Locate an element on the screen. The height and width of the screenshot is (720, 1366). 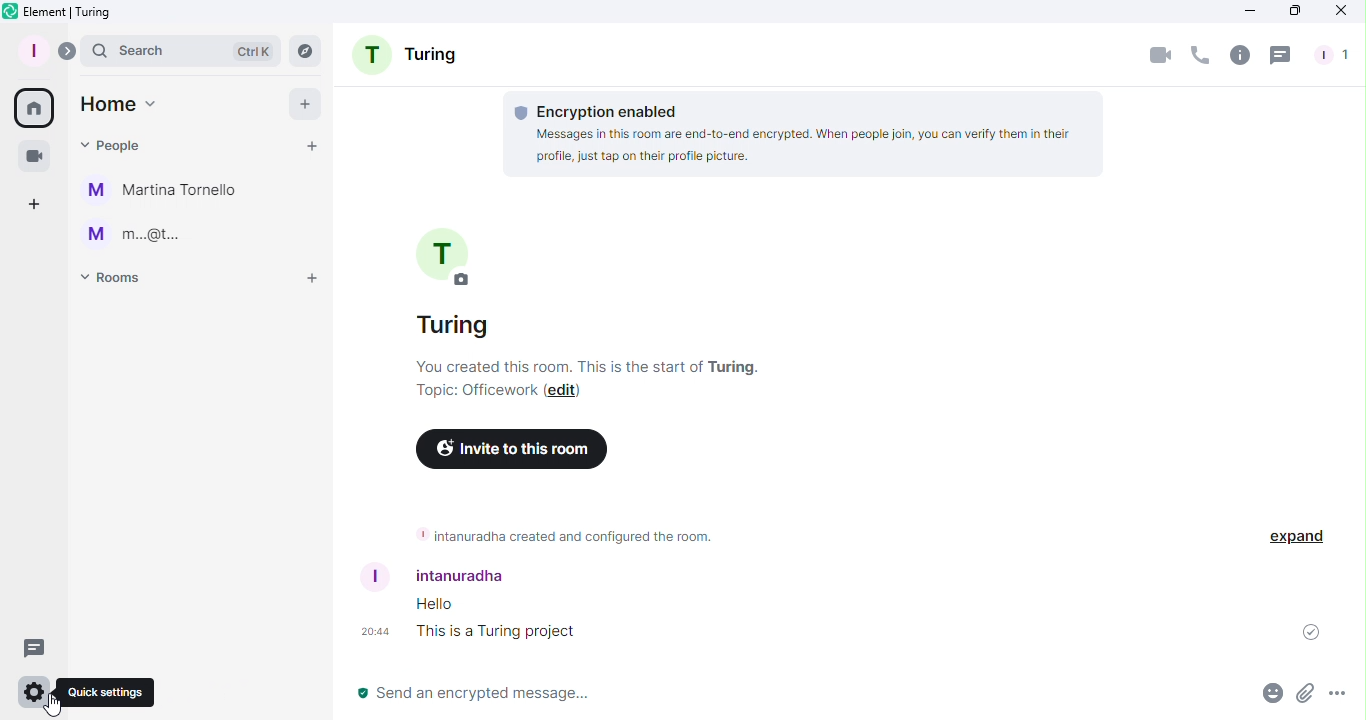
Quick settings is located at coordinates (32, 694).